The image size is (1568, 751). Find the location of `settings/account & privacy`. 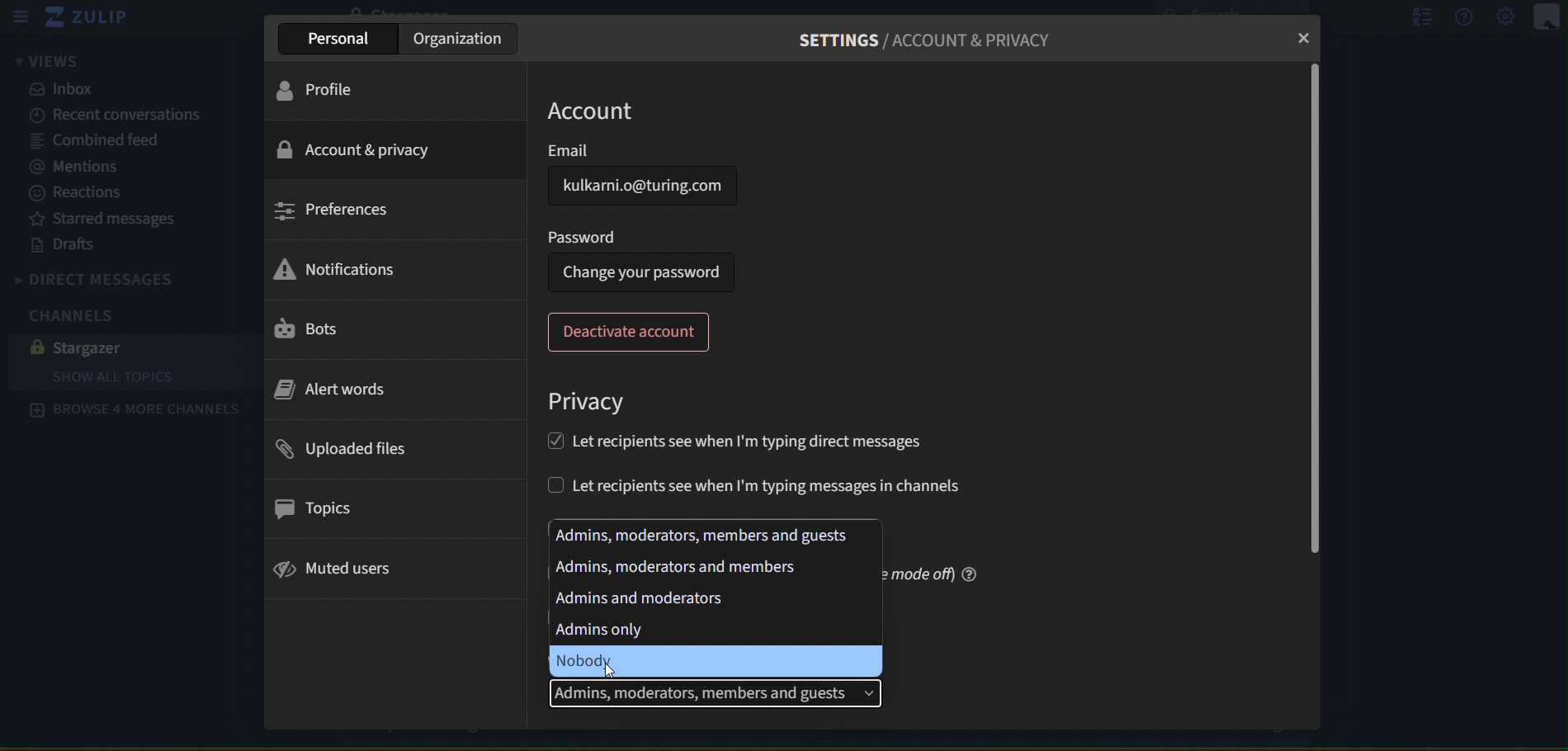

settings/account & privacy is located at coordinates (933, 42).